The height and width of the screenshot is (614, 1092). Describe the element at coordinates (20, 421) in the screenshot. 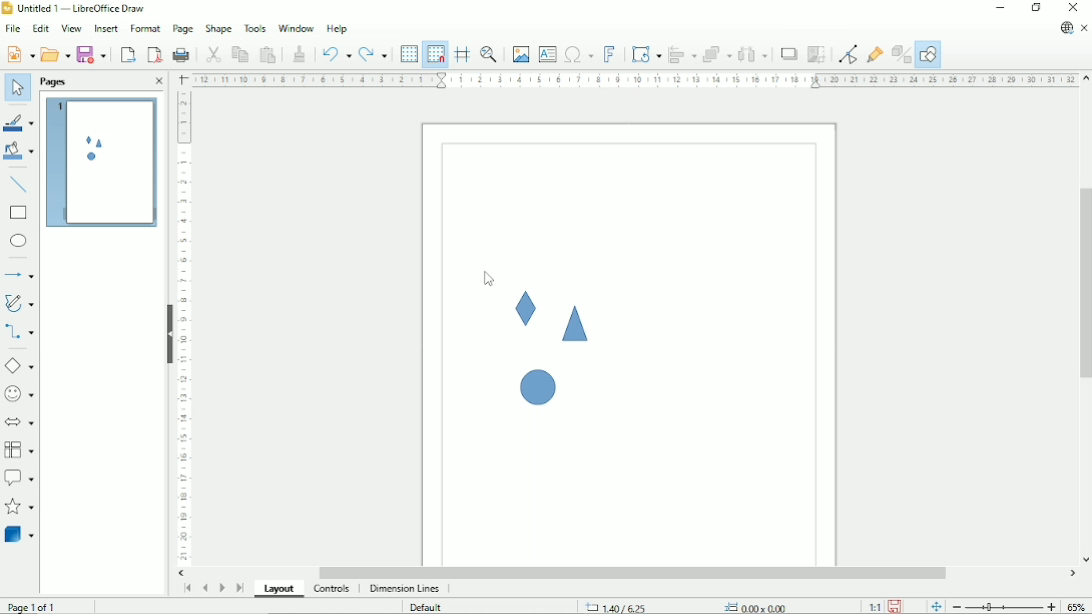

I see `Block arrows` at that location.